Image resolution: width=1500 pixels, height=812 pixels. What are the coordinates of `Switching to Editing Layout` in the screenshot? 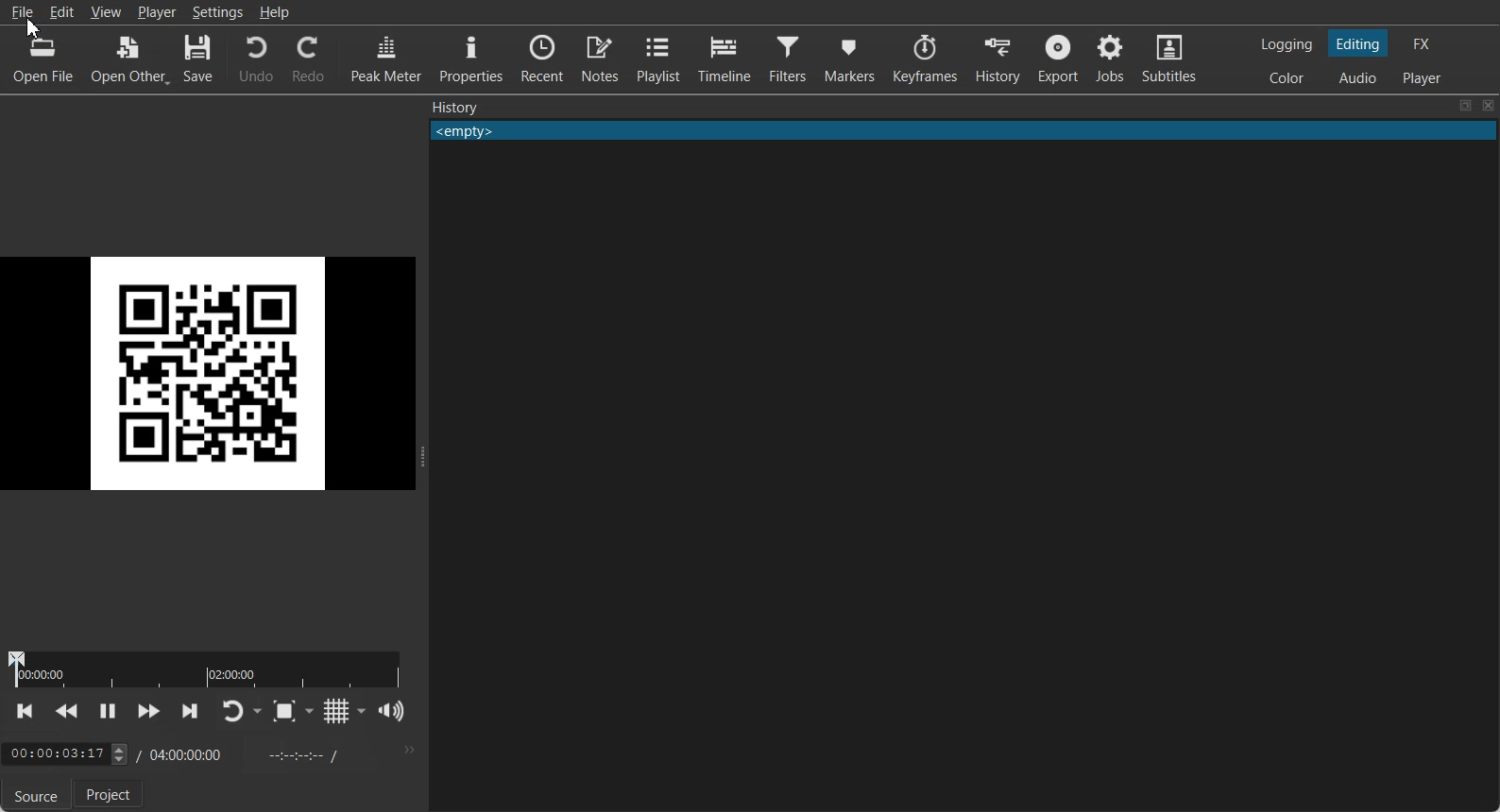 It's located at (1356, 43).